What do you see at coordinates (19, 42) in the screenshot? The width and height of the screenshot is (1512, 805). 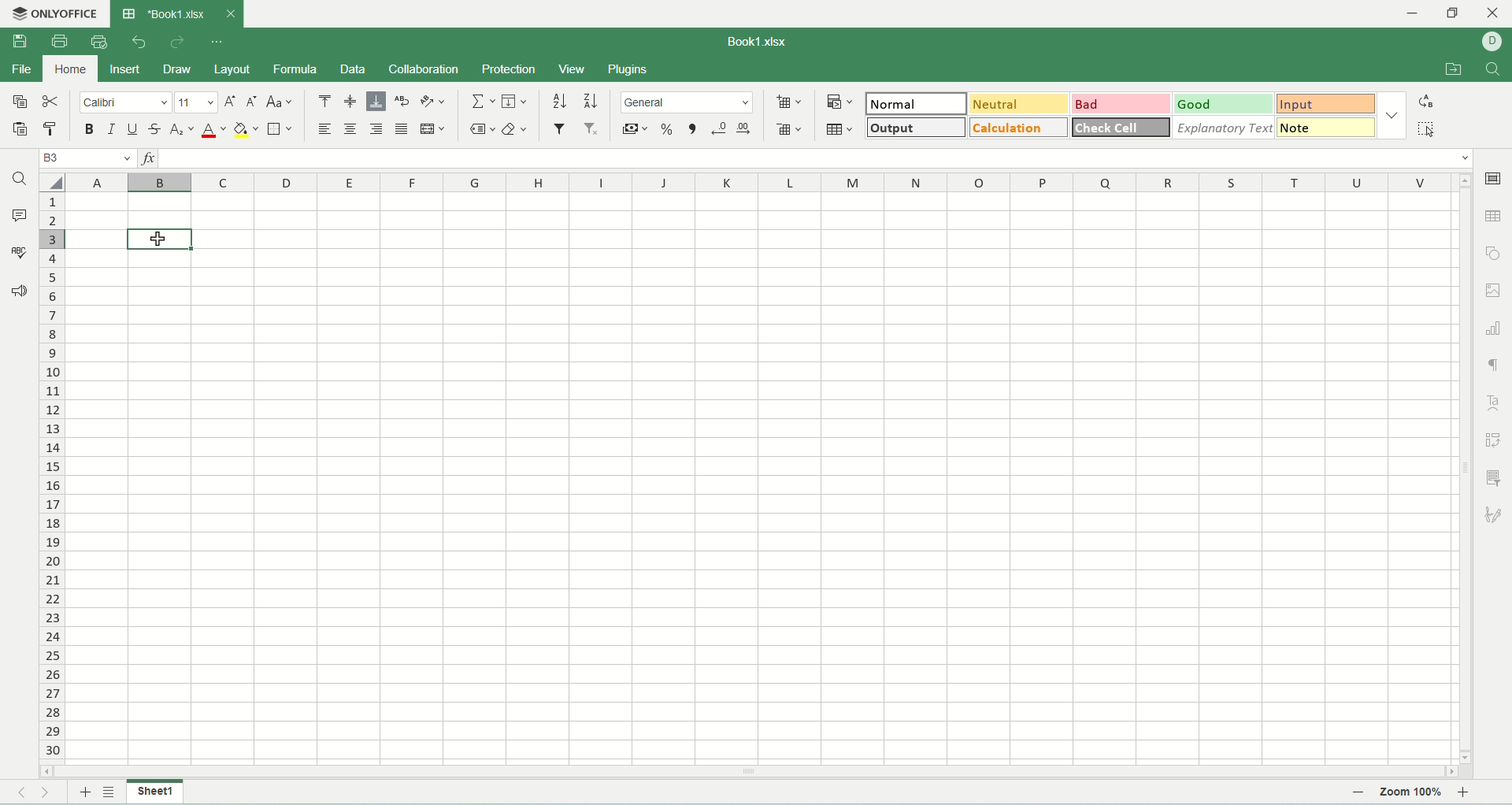 I see `save` at bounding box center [19, 42].